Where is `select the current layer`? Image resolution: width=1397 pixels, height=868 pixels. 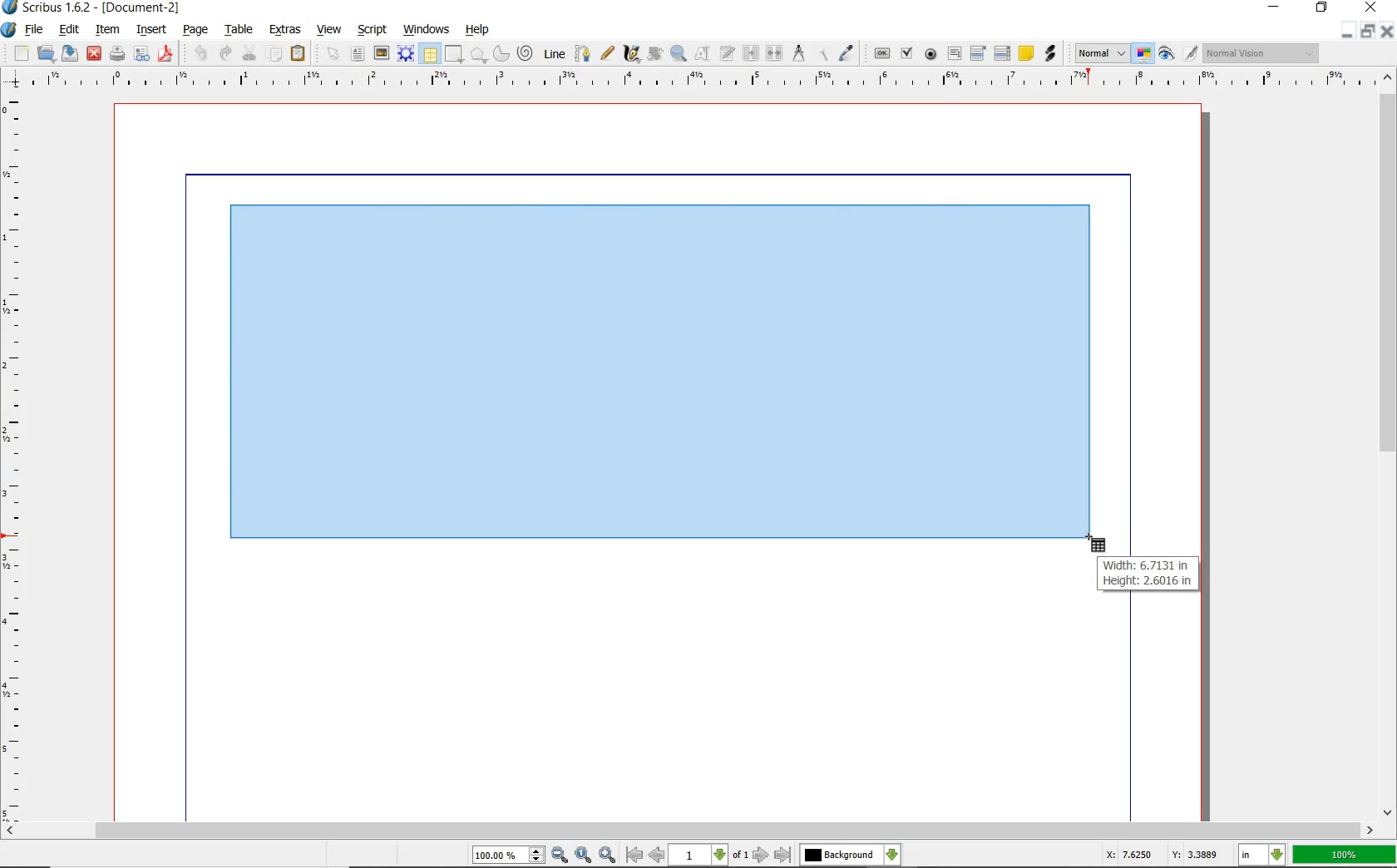
select the current layer is located at coordinates (850, 856).